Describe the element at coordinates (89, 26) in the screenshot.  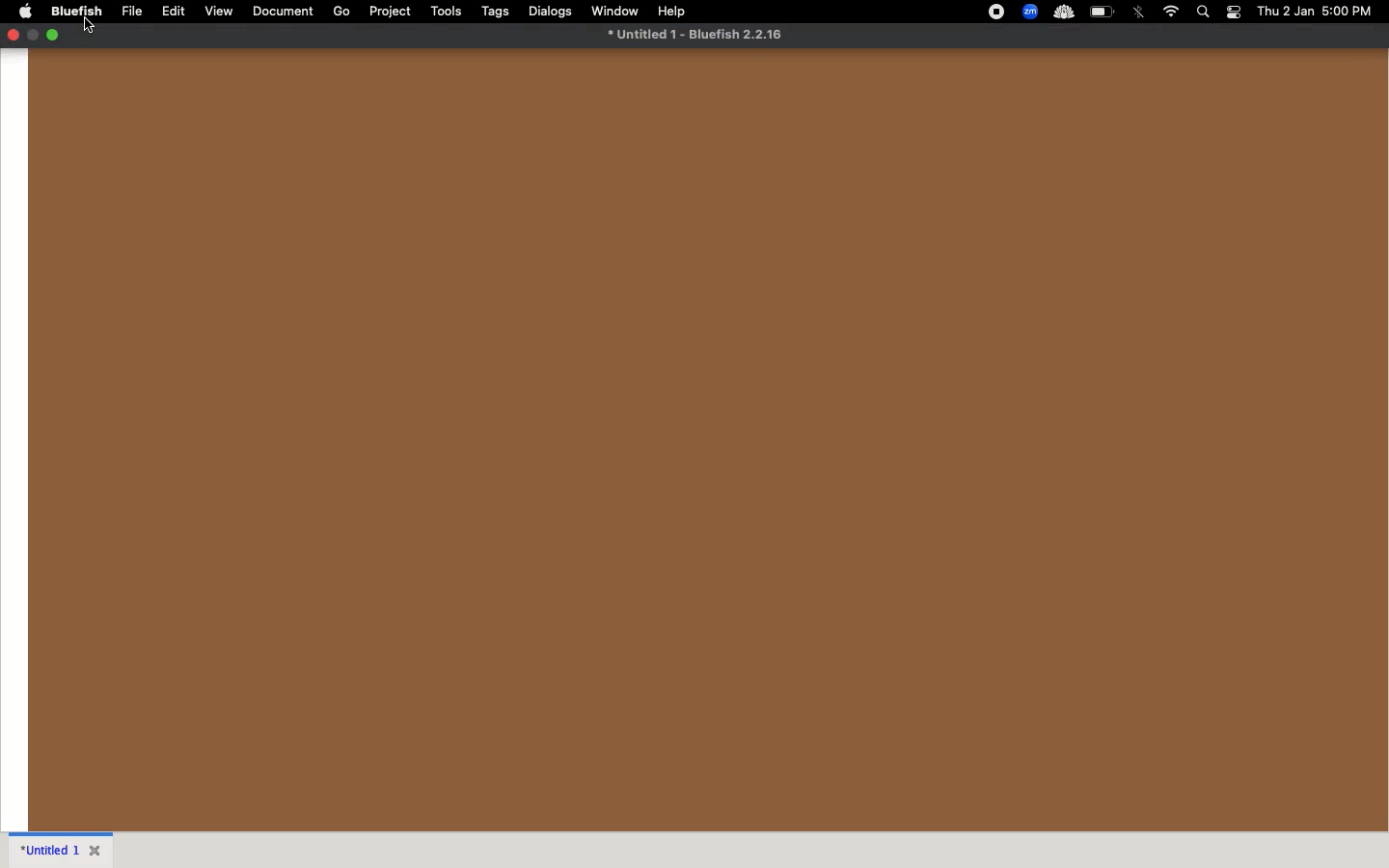
I see `cursor` at that location.